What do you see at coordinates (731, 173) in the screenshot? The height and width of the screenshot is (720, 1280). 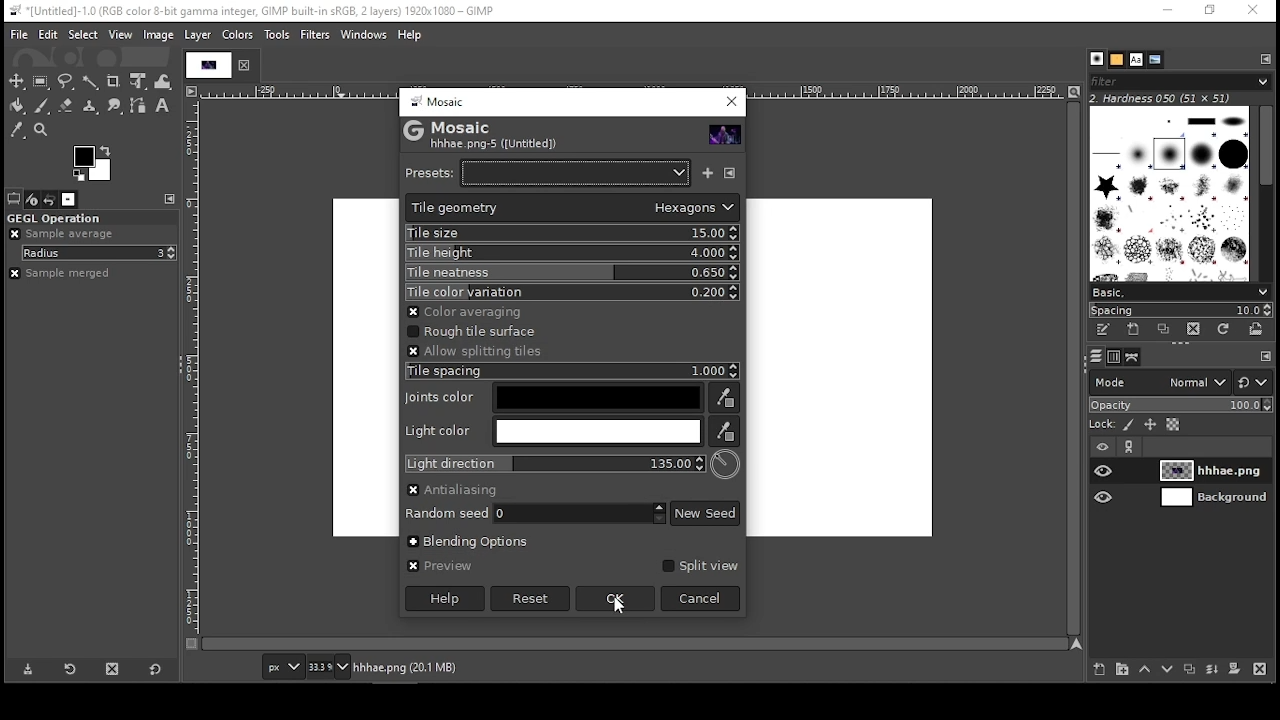 I see `manage presets` at bounding box center [731, 173].